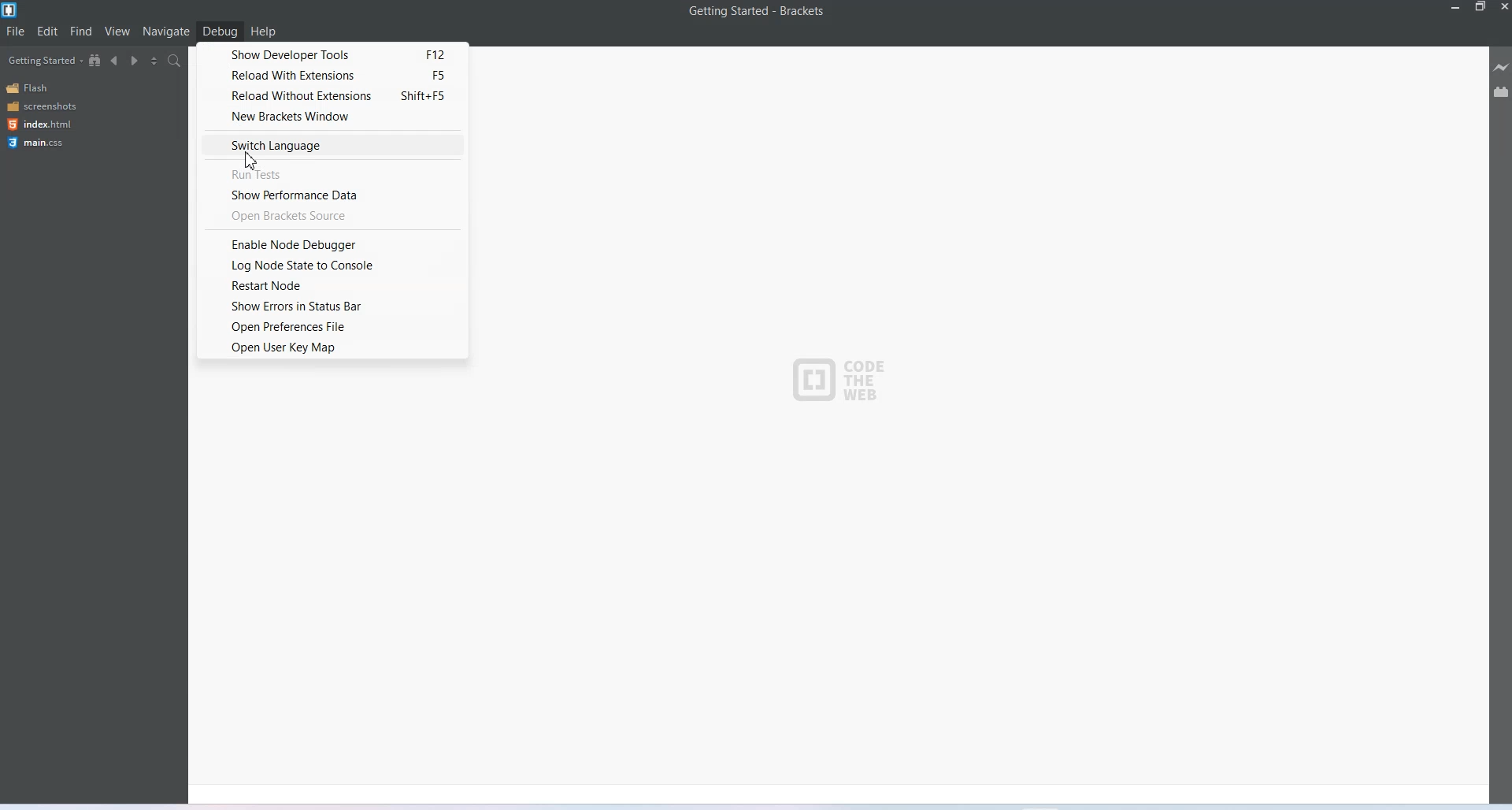 This screenshot has width=1512, height=810. I want to click on Live preview, so click(1502, 67).